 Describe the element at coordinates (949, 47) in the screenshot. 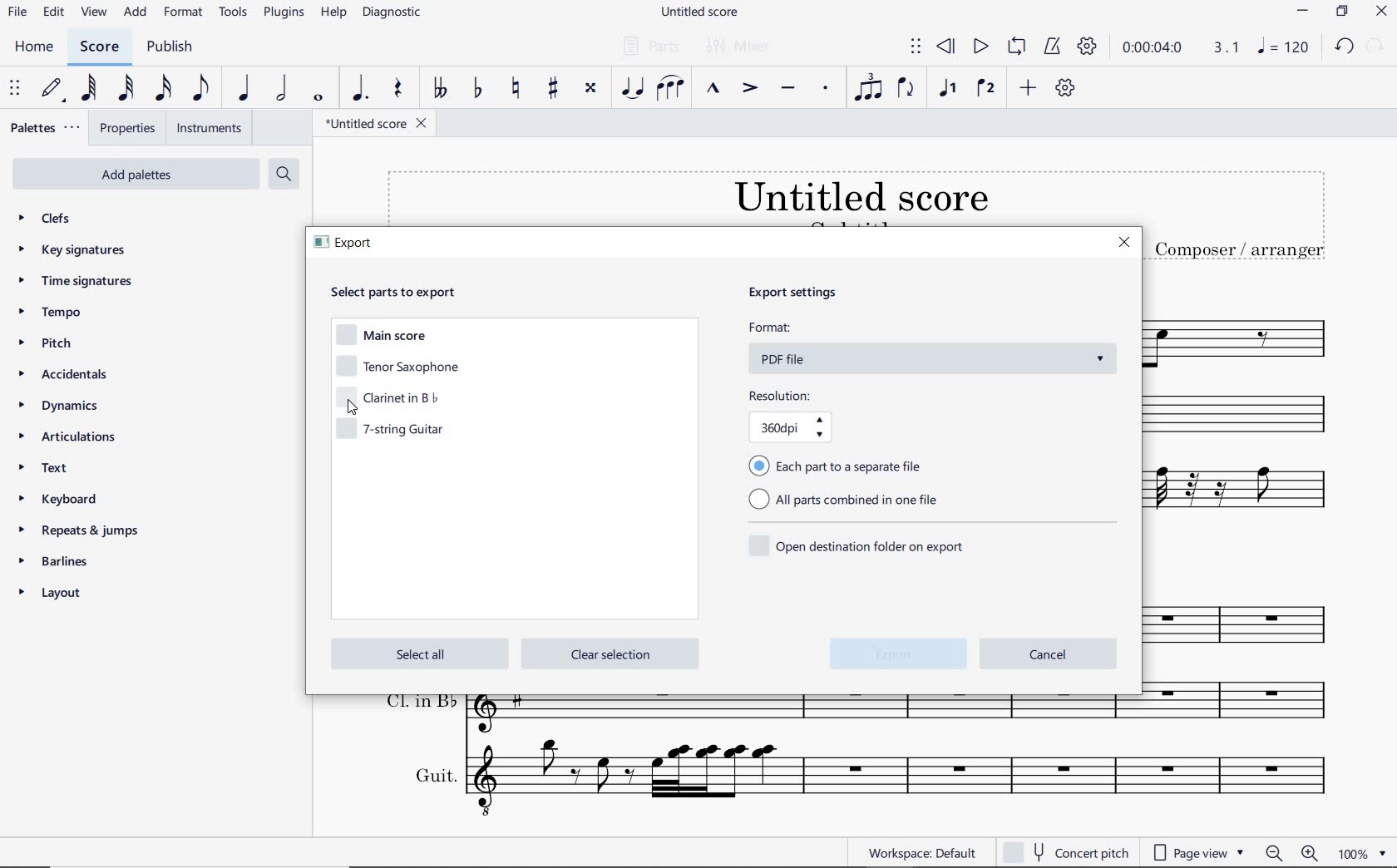

I see `REWIND` at that location.